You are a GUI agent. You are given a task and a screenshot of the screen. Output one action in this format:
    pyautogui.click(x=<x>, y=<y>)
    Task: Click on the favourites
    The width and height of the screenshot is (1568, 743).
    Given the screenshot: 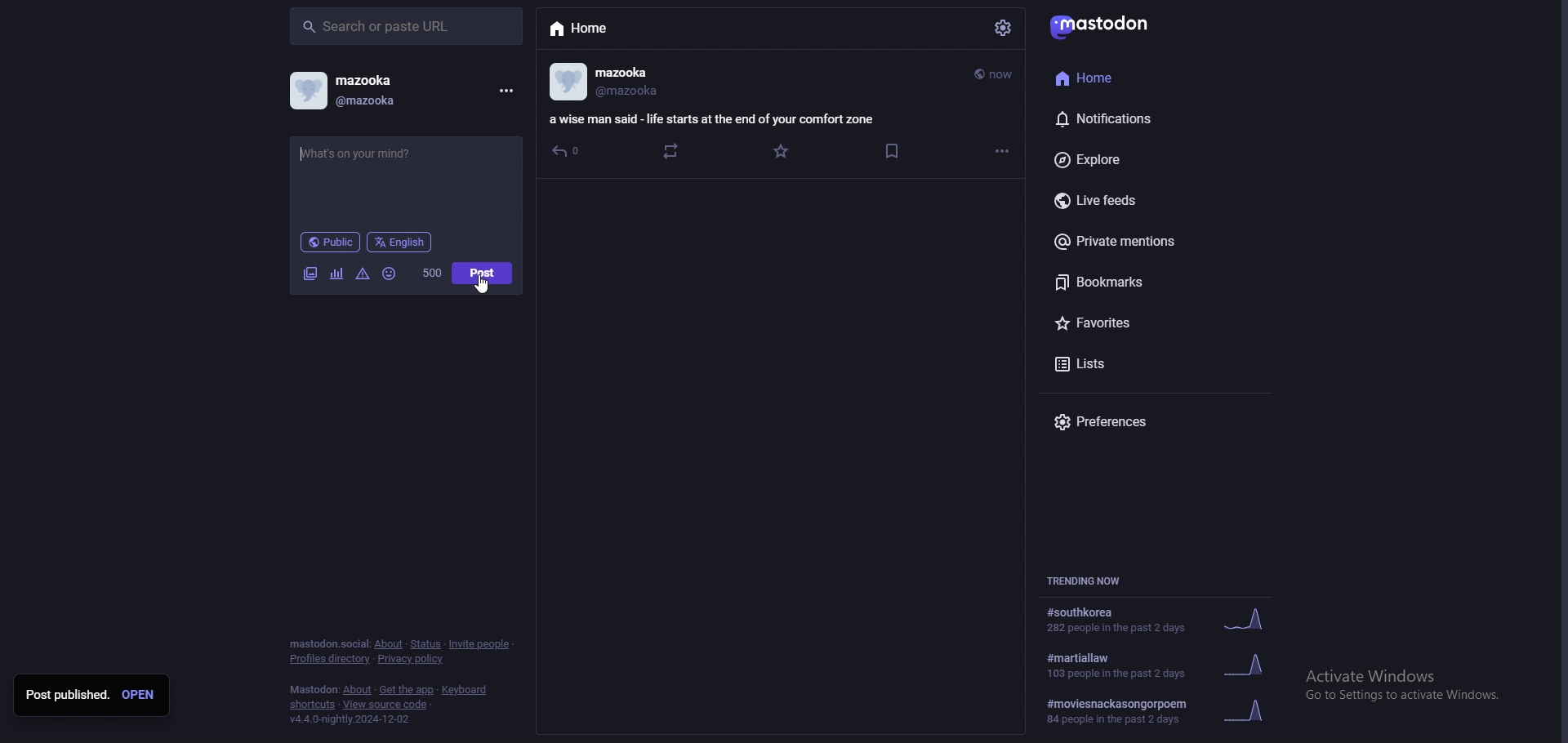 What is the action you would take?
    pyautogui.click(x=1142, y=323)
    